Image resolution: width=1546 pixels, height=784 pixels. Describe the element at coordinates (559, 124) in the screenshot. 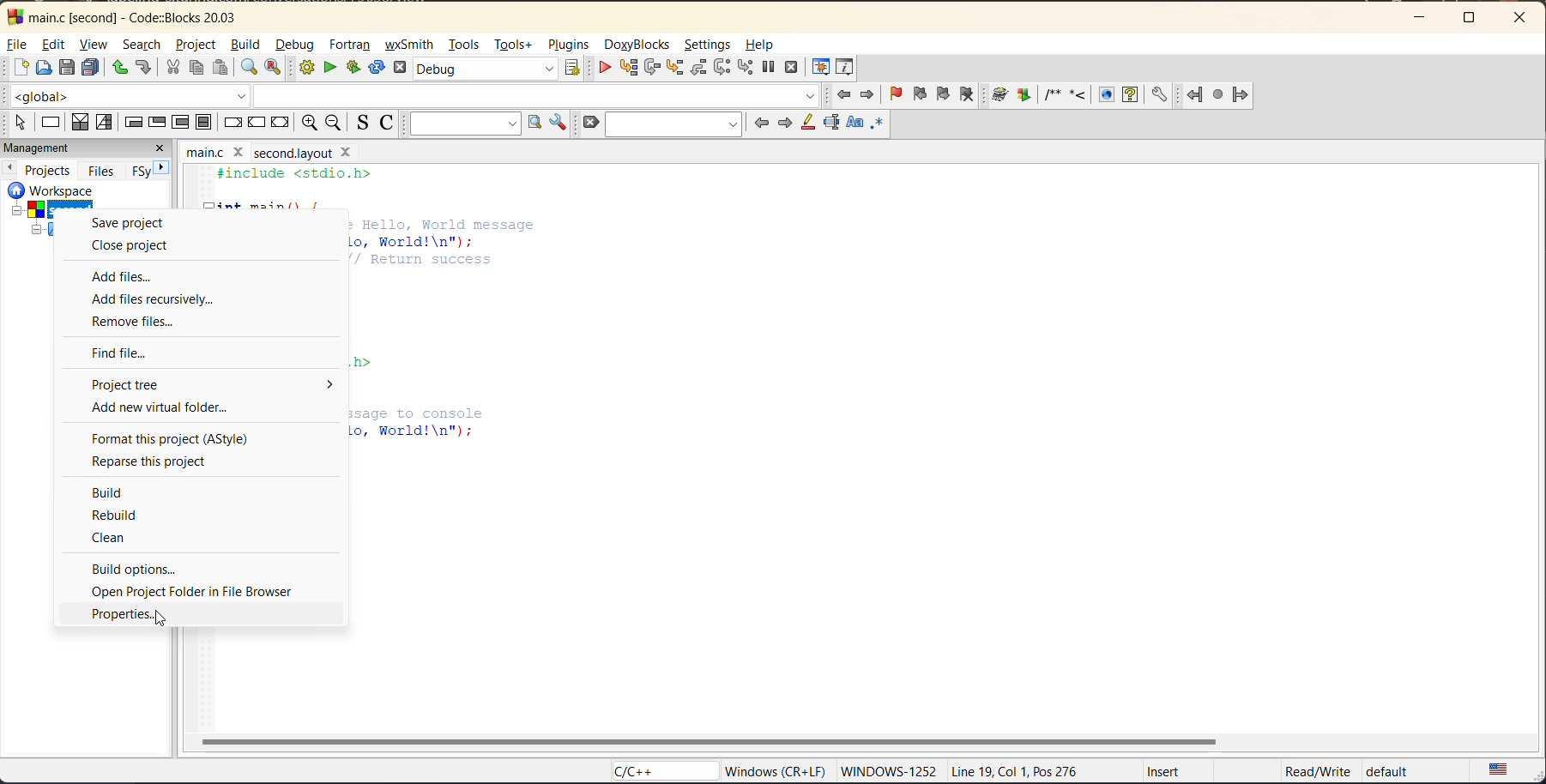

I see `show options window` at that location.